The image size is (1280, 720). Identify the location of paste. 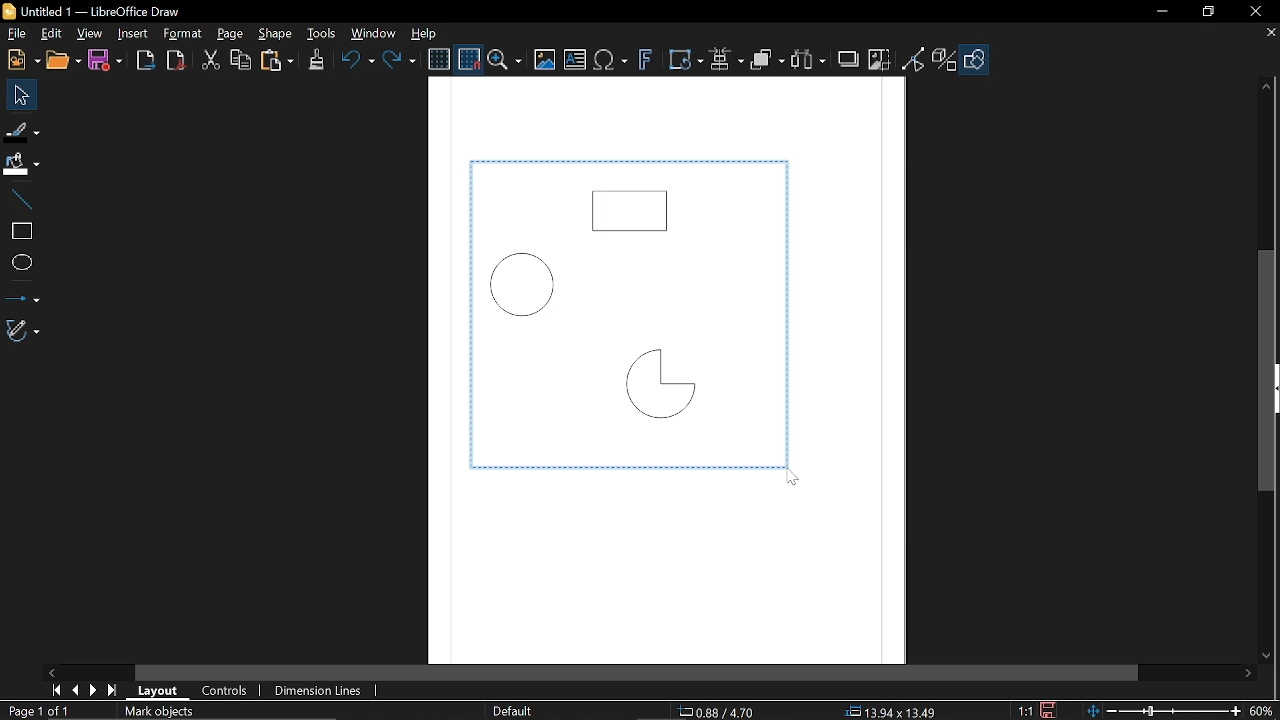
(278, 61).